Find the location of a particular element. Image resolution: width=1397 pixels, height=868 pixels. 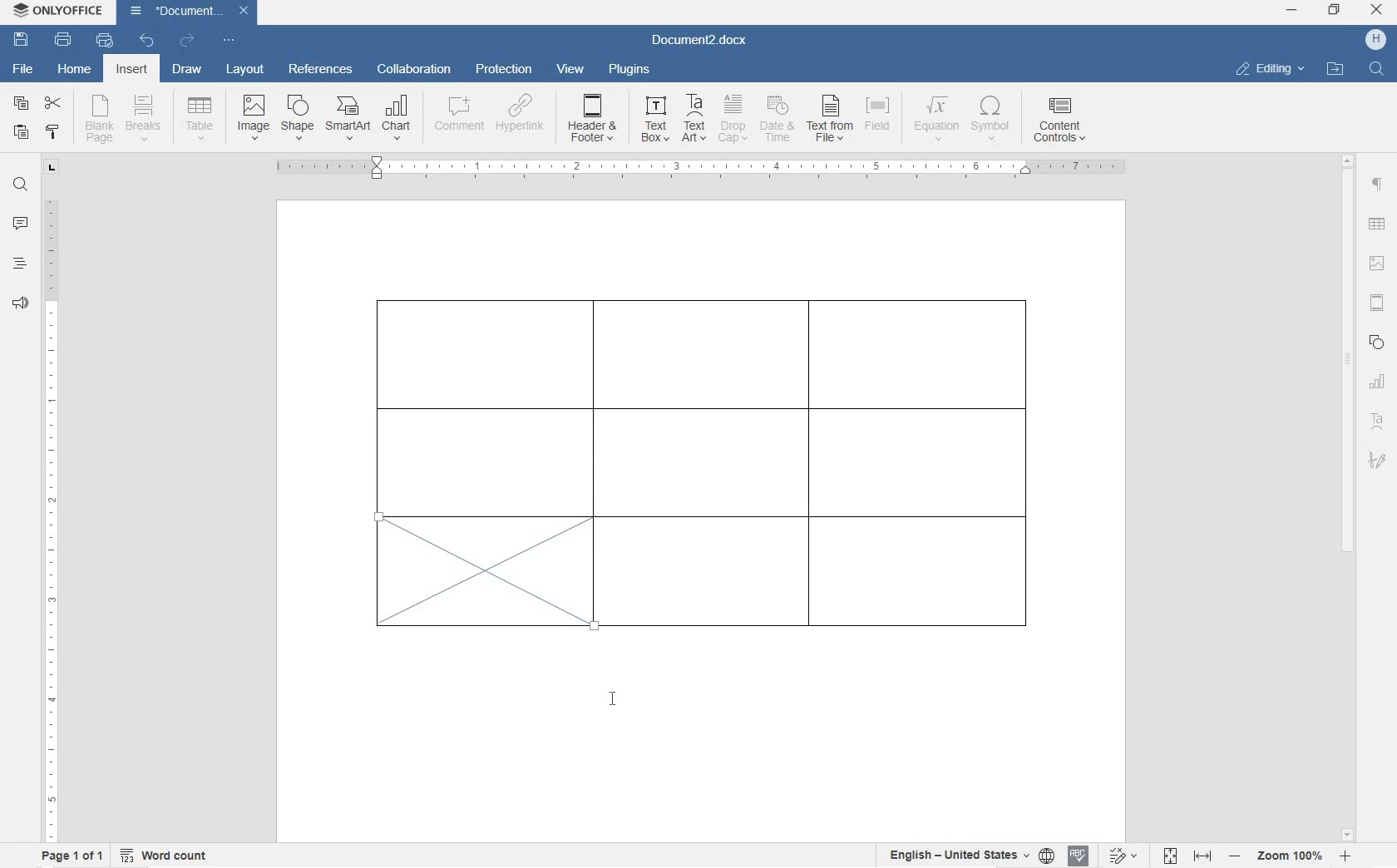

scrollbar is located at coordinates (1348, 496).